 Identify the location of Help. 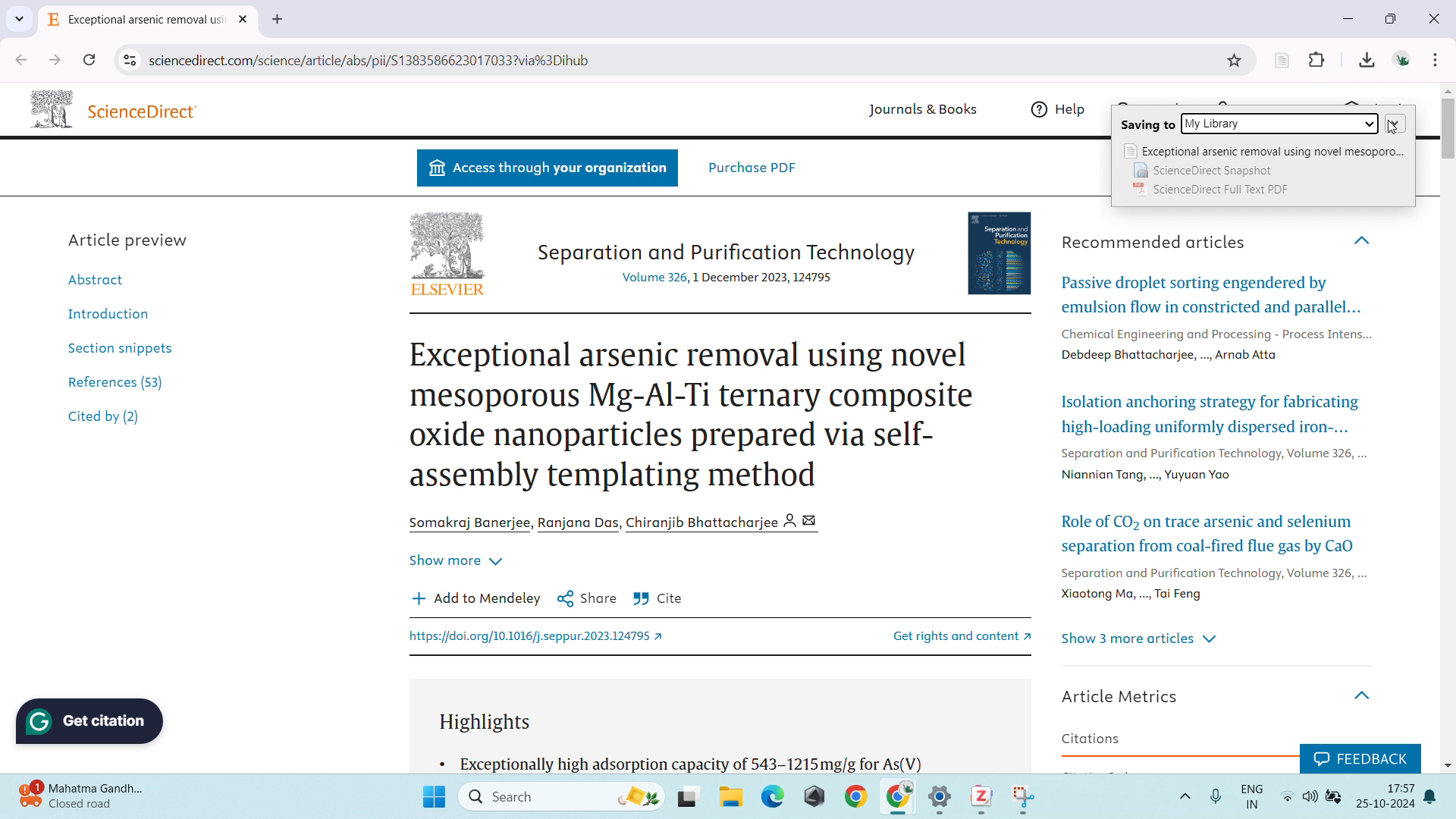
(1062, 109).